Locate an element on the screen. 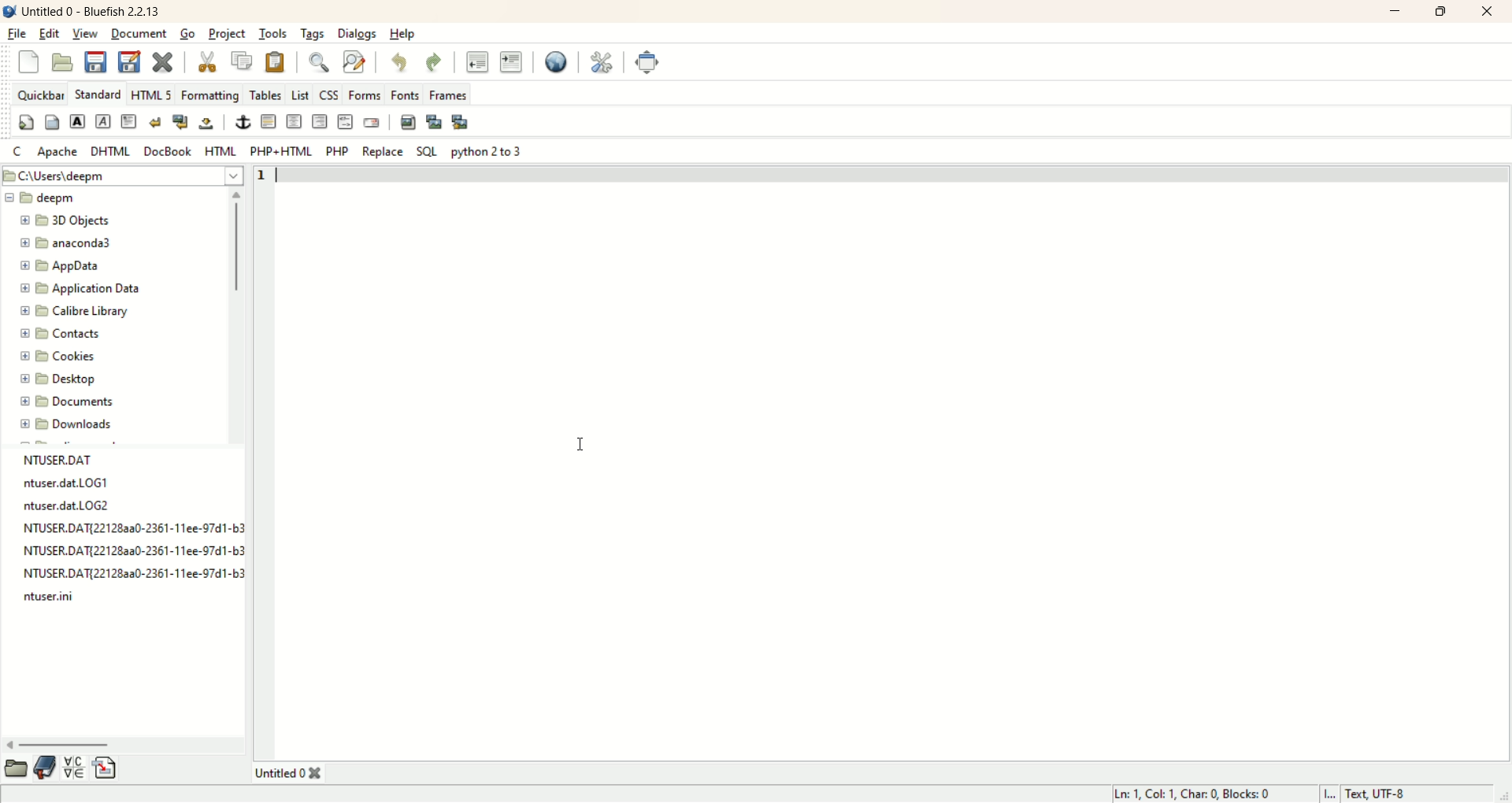 This screenshot has height=803, width=1512. desktop is located at coordinates (56, 383).